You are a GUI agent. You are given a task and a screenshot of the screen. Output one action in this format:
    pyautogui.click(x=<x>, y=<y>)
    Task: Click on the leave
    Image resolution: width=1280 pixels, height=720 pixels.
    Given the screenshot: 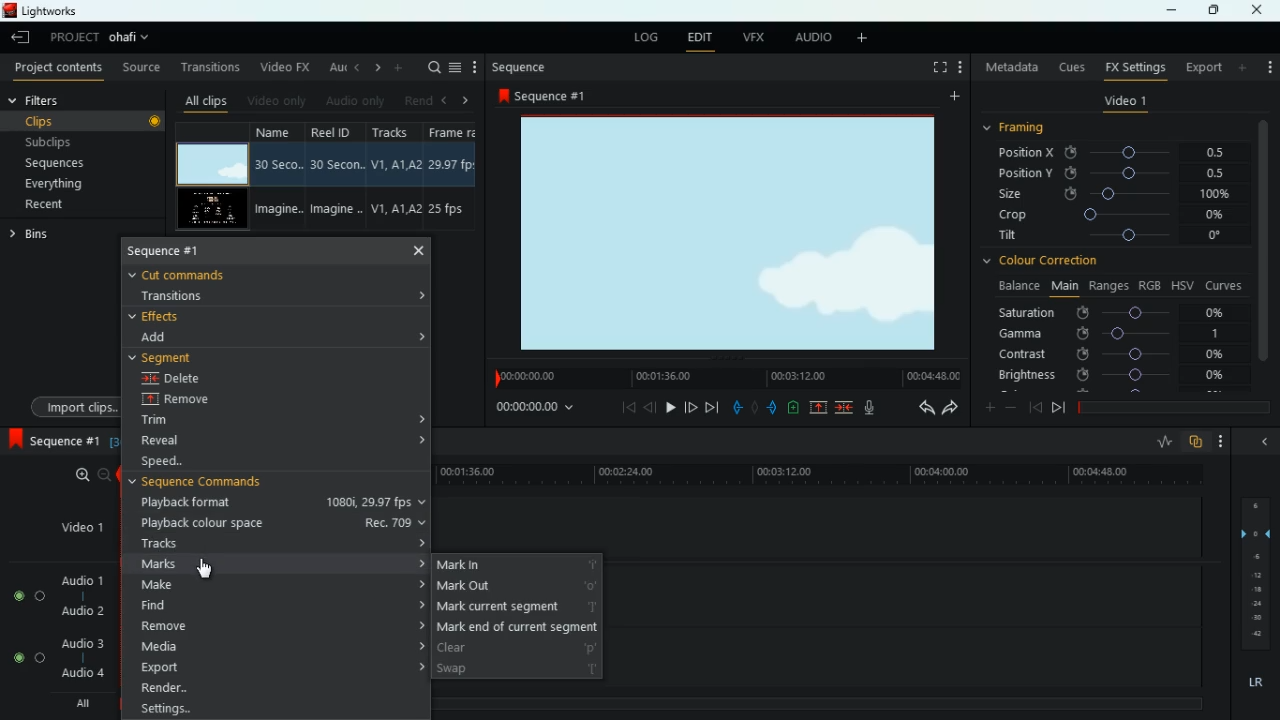 What is the action you would take?
    pyautogui.click(x=22, y=36)
    